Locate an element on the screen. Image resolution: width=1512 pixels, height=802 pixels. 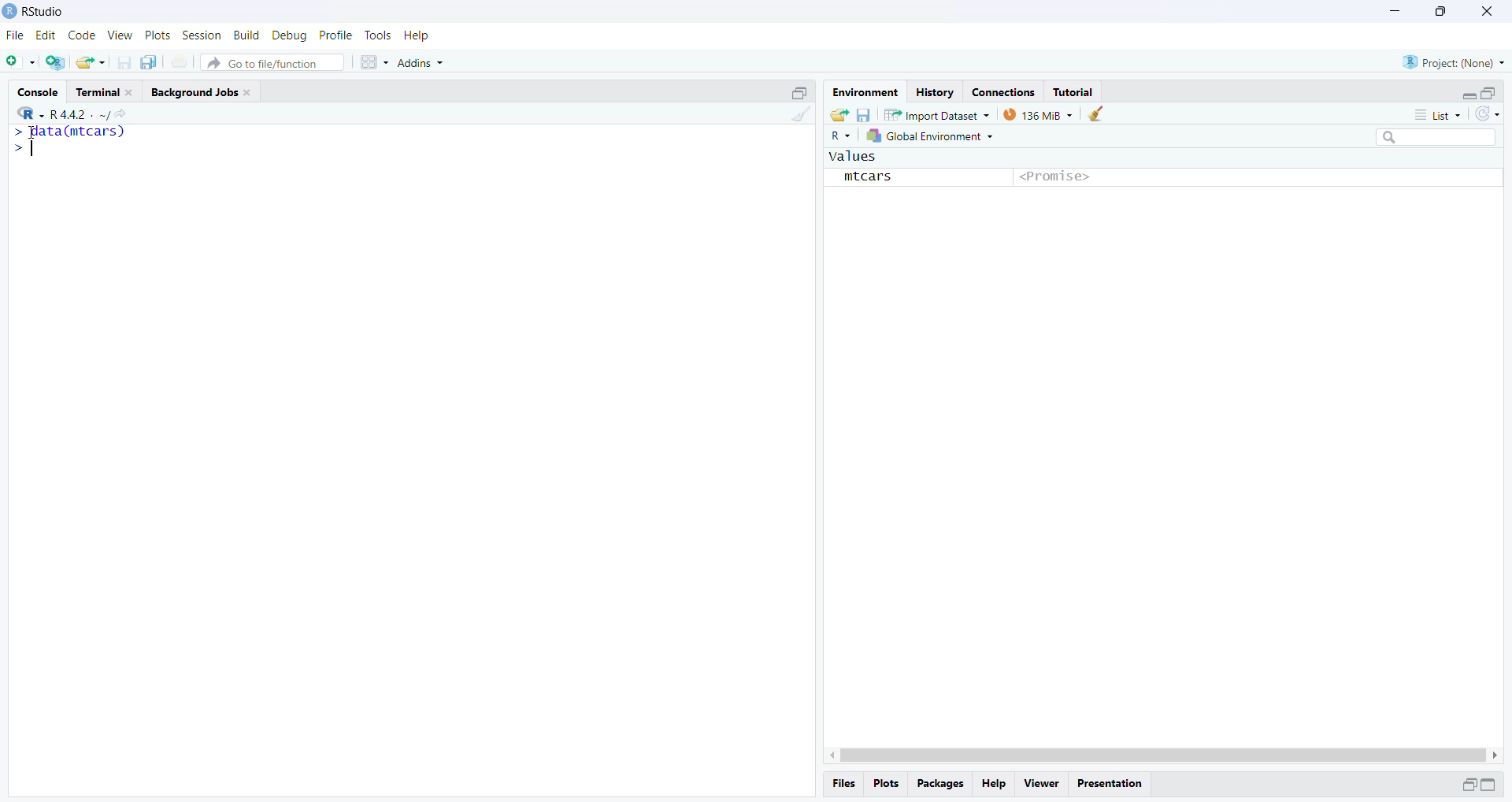
Minimize is located at coordinates (1466, 785).